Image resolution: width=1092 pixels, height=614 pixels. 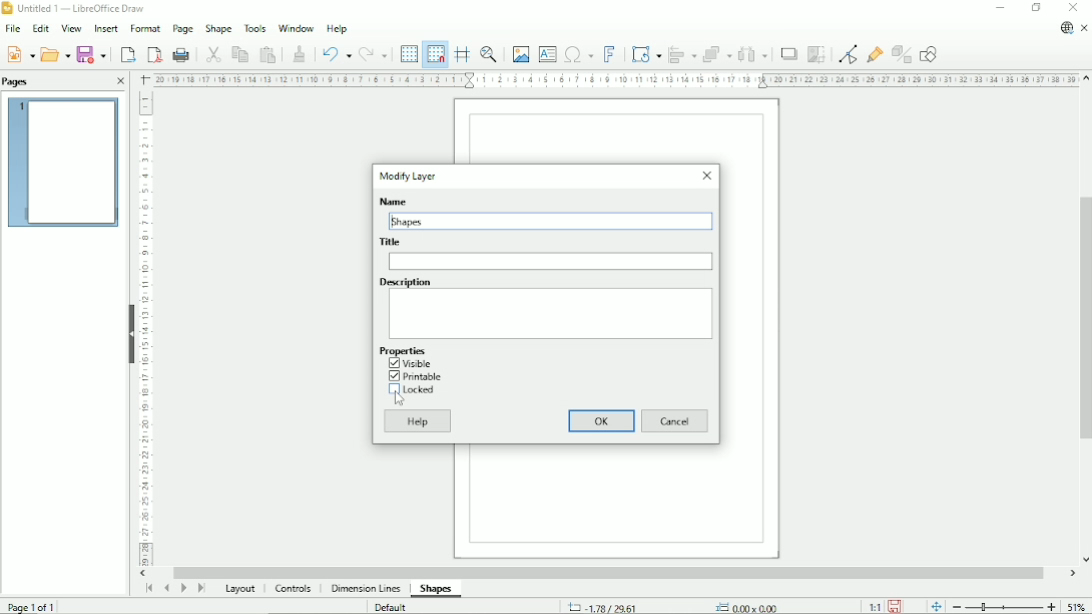 I want to click on Format, so click(x=145, y=29).